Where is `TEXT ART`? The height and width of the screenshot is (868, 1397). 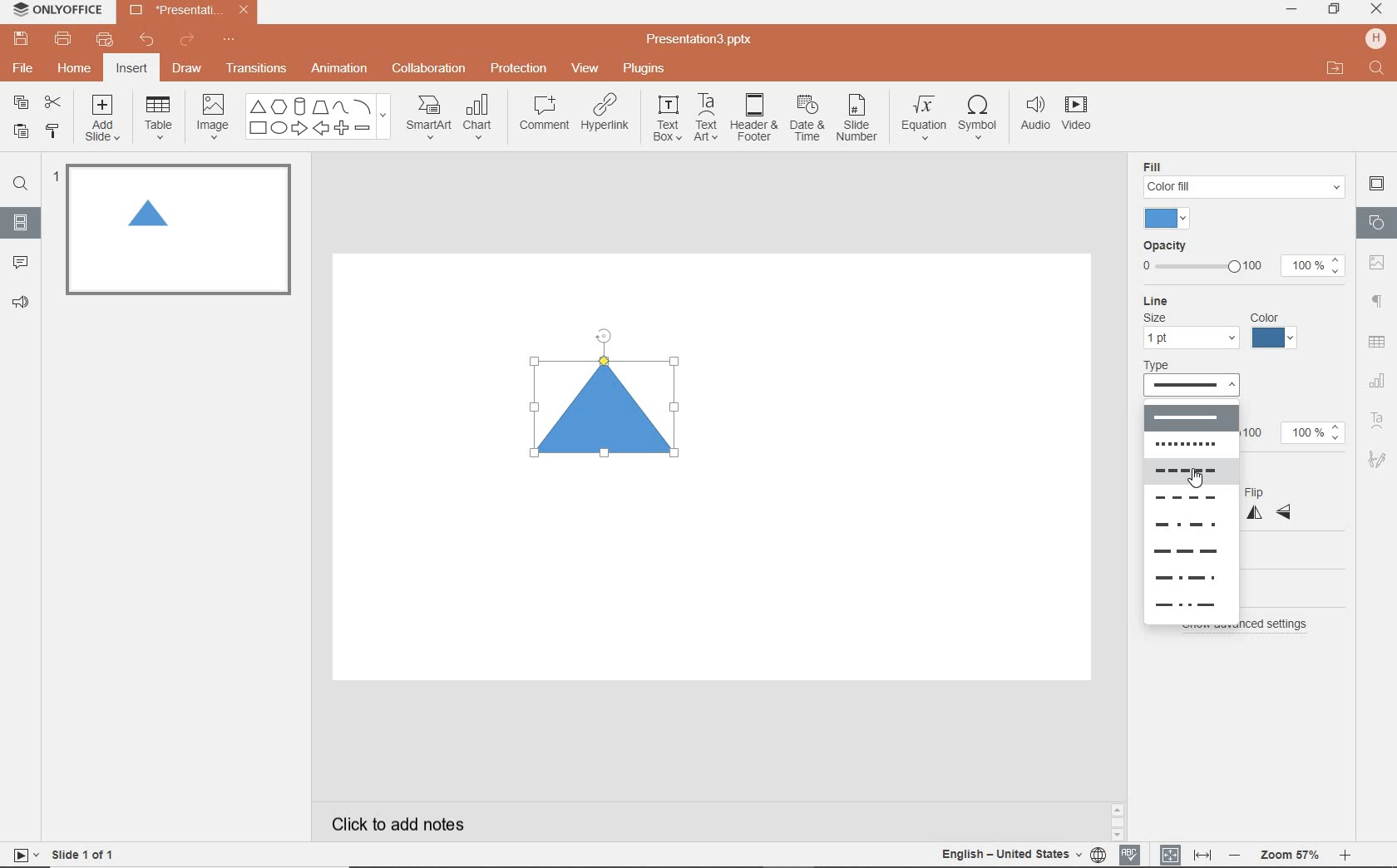
TEXT ART is located at coordinates (704, 119).